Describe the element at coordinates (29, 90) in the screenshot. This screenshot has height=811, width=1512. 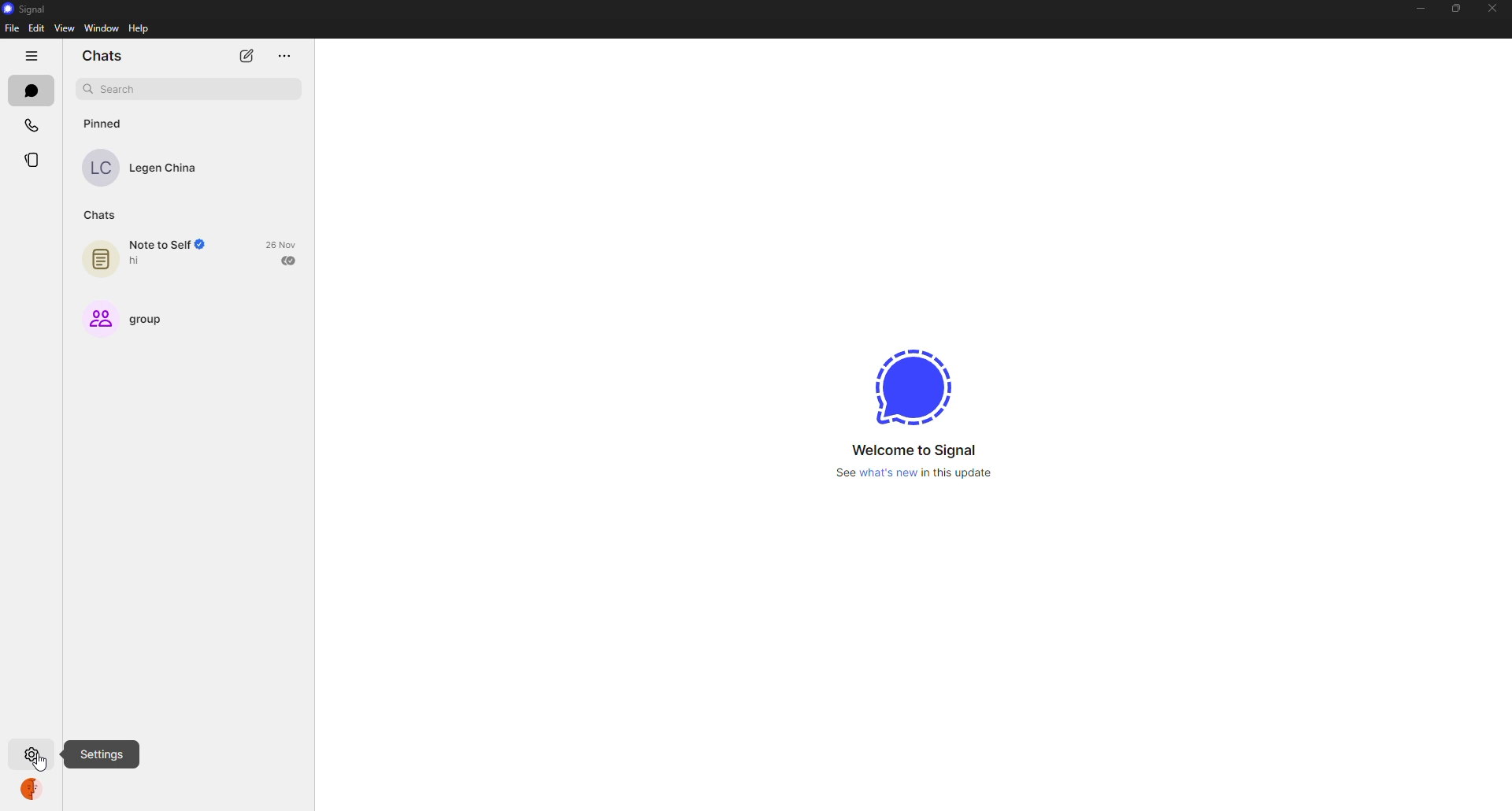
I see `chats` at that location.